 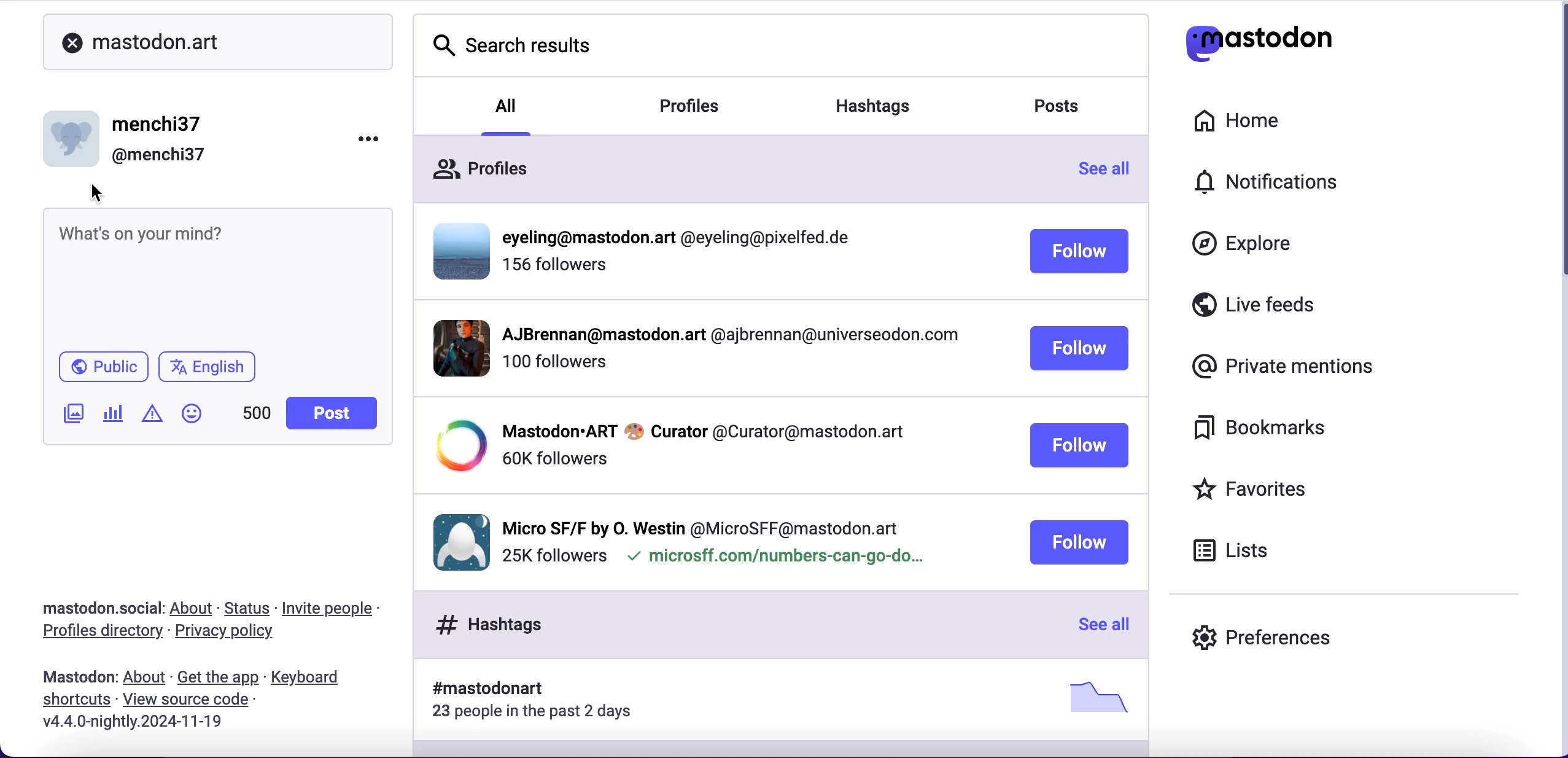 I want to click on posts, so click(x=1062, y=110).